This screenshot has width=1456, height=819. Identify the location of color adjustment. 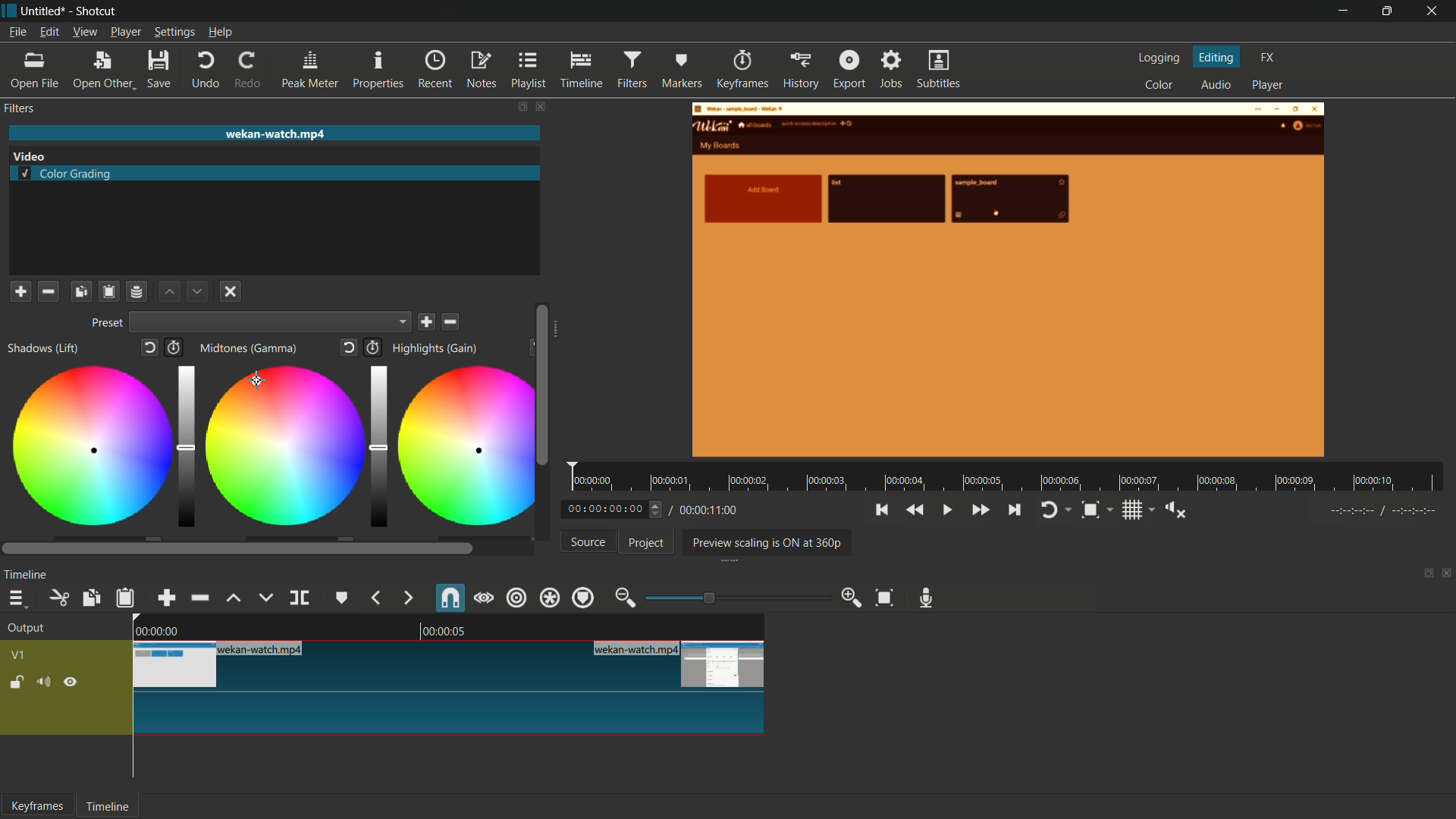
(89, 448).